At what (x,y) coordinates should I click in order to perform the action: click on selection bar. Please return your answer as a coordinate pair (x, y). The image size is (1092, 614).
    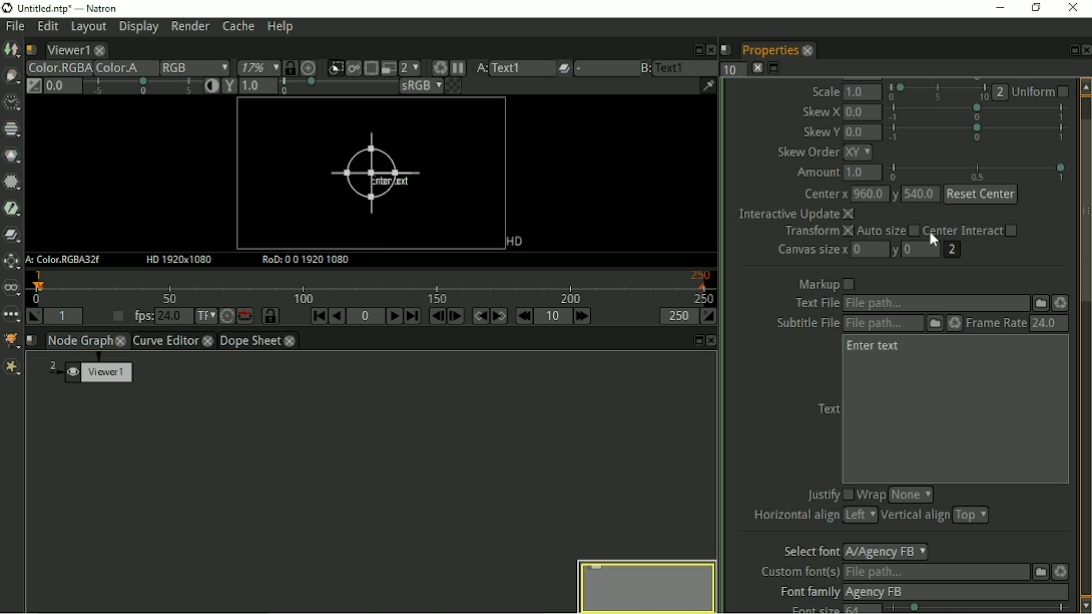
    Looking at the image, I should click on (977, 132).